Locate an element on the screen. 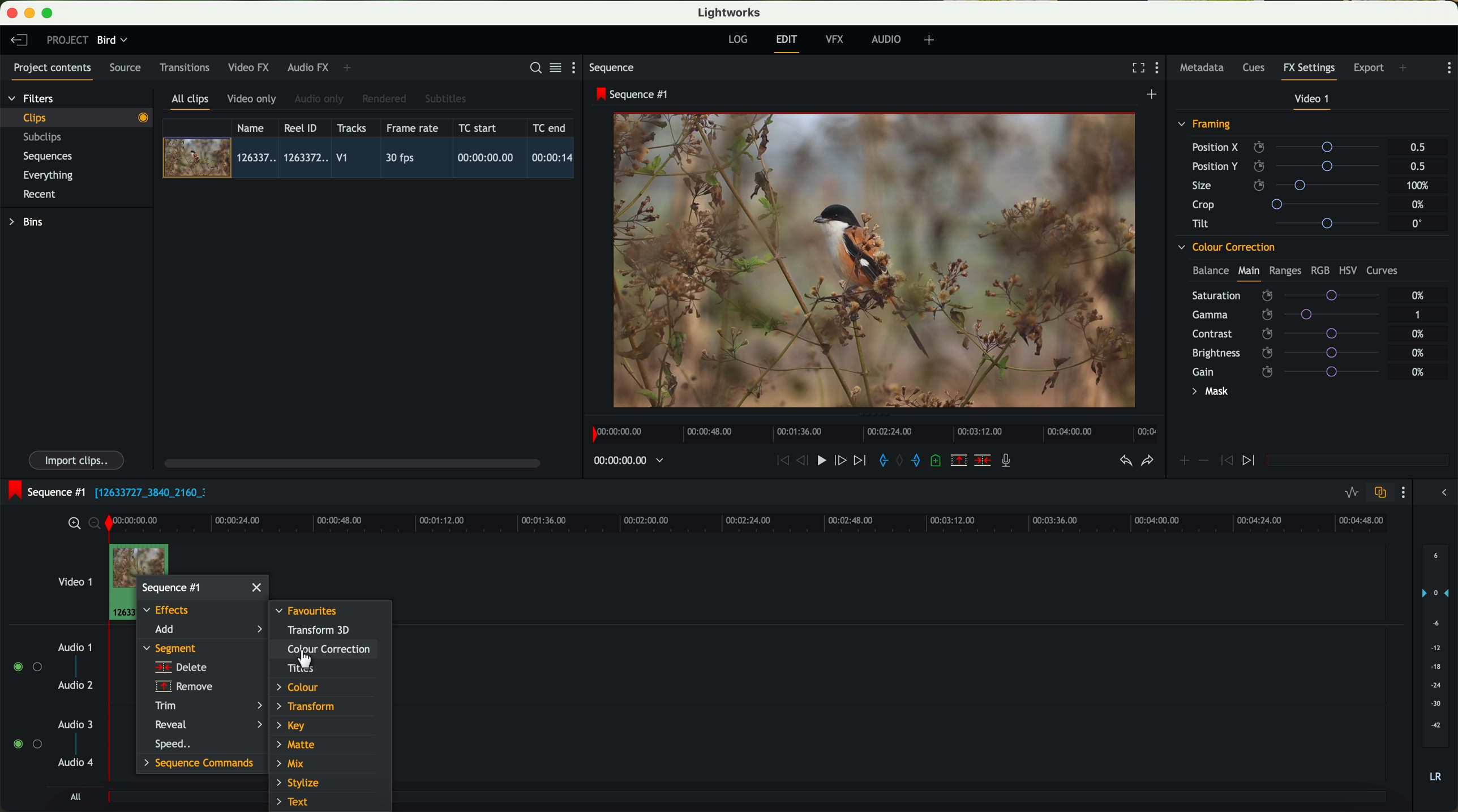 Image resolution: width=1458 pixels, height=812 pixels. HSV is located at coordinates (1347, 270).